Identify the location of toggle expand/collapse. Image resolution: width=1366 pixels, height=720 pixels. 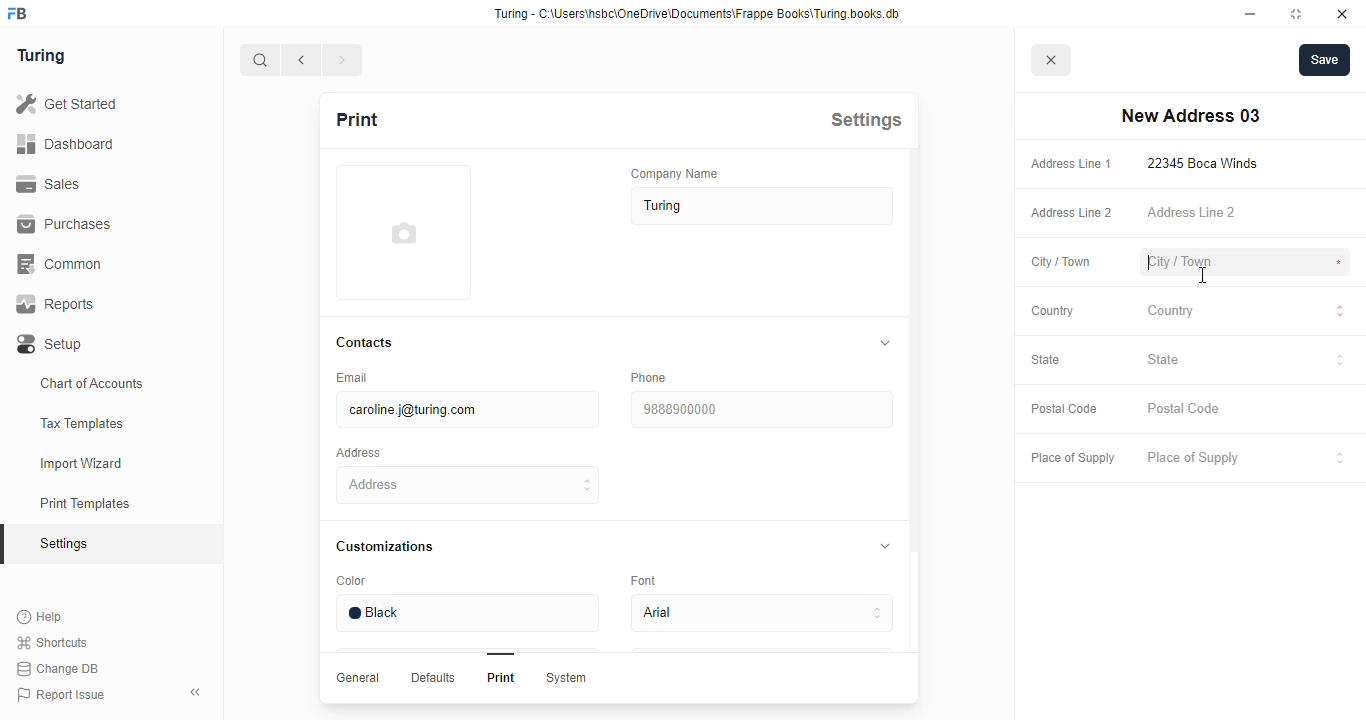
(881, 343).